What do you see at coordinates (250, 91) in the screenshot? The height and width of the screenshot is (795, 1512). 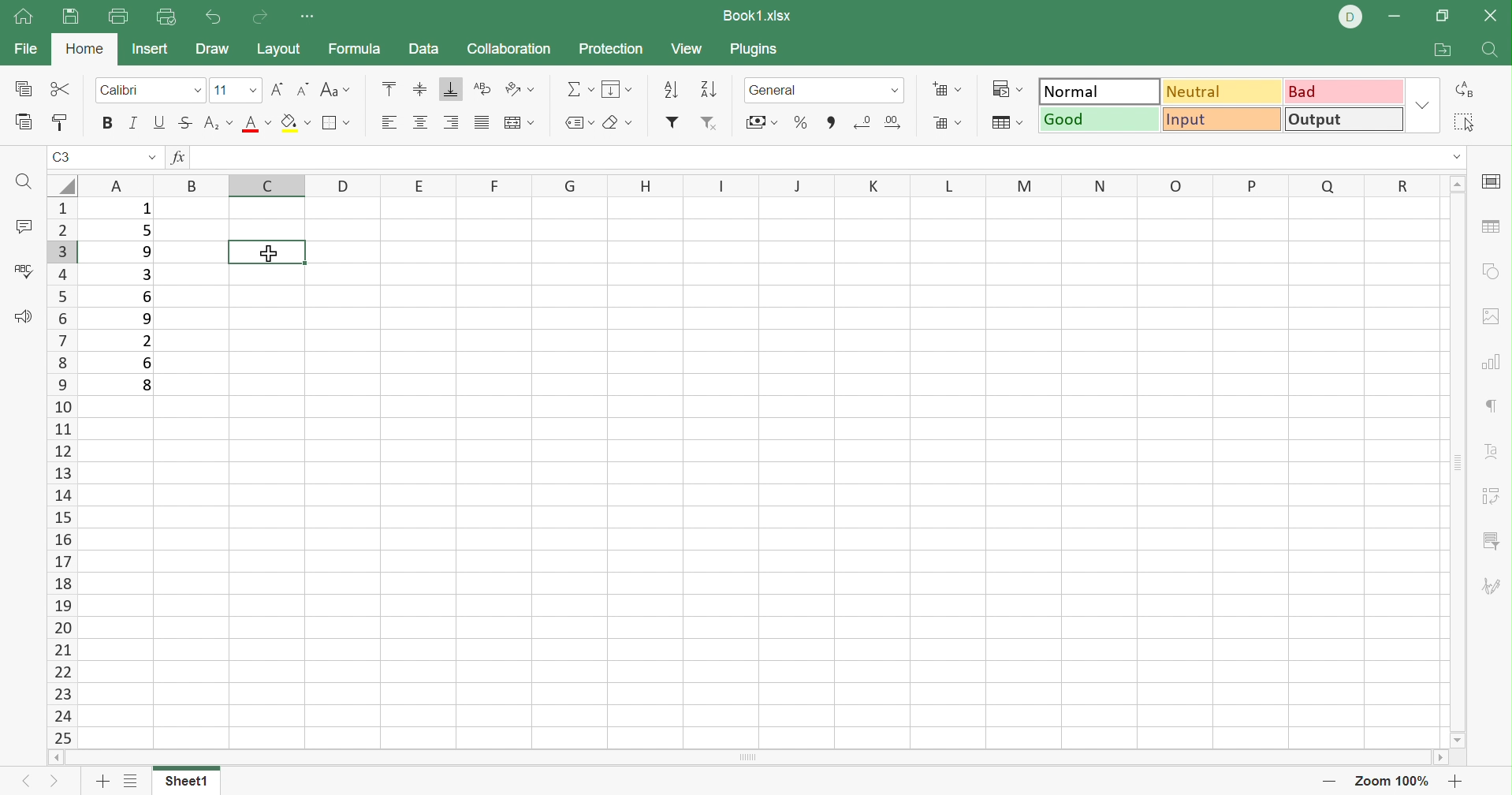 I see `Drop Down` at bounding box center [250, 91].